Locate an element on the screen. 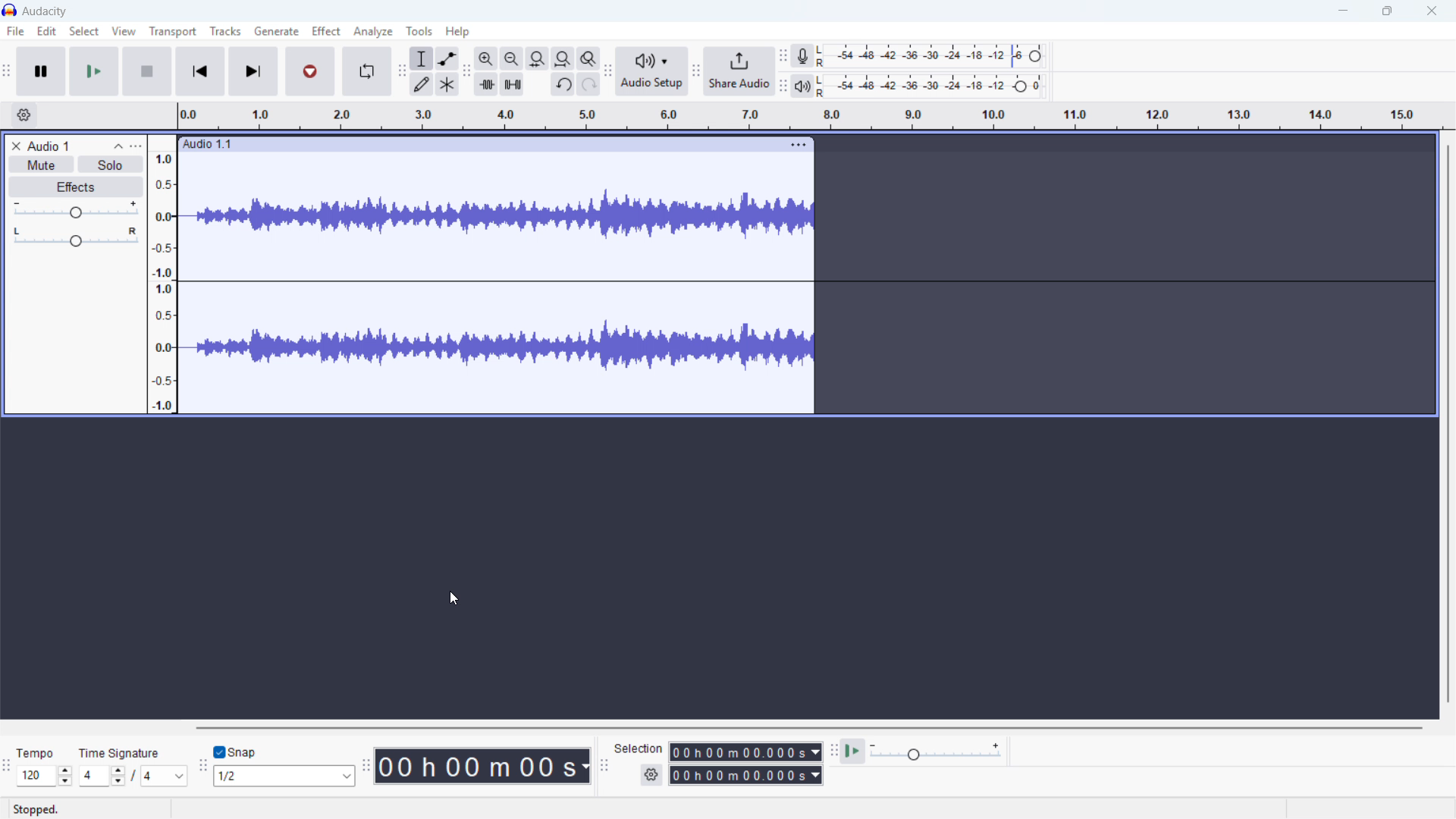 Image resolution: width=1456 pixels, height=819 pixels. Track title  is located at coordinates (71, 145).